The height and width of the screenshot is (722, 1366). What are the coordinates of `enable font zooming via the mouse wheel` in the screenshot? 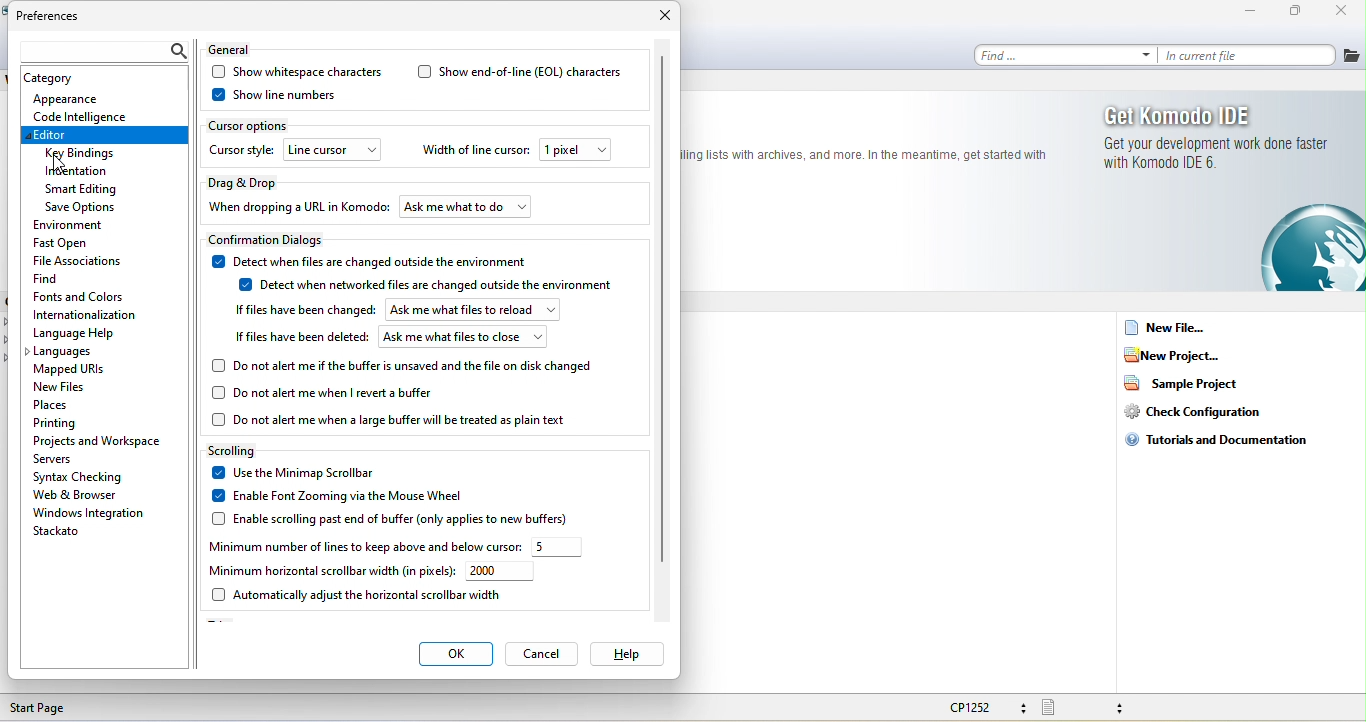 It's located at (333, 495).